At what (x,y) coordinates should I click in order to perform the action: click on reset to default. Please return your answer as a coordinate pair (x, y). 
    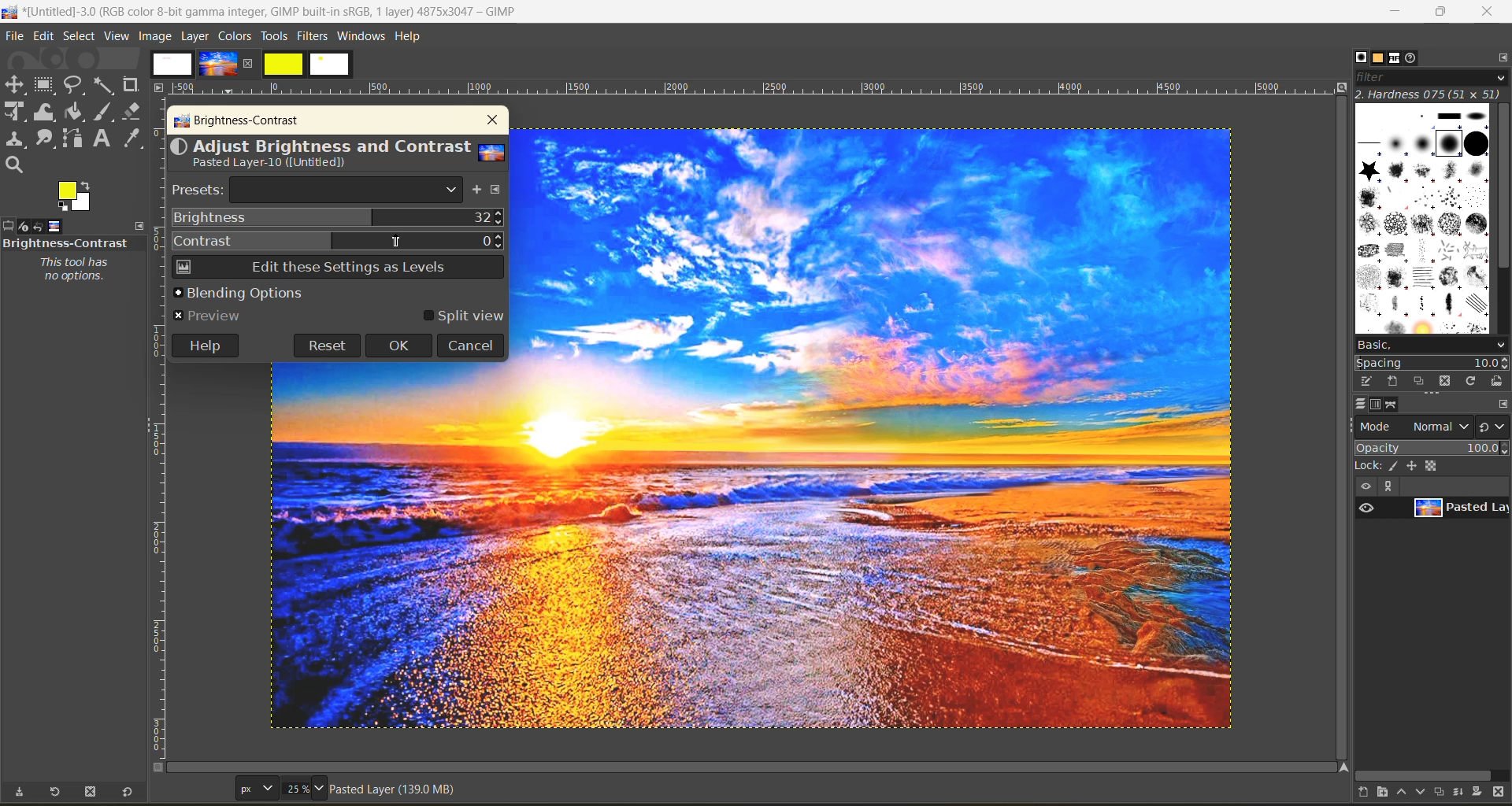
    Looking at the image, I should click on (128, 791).